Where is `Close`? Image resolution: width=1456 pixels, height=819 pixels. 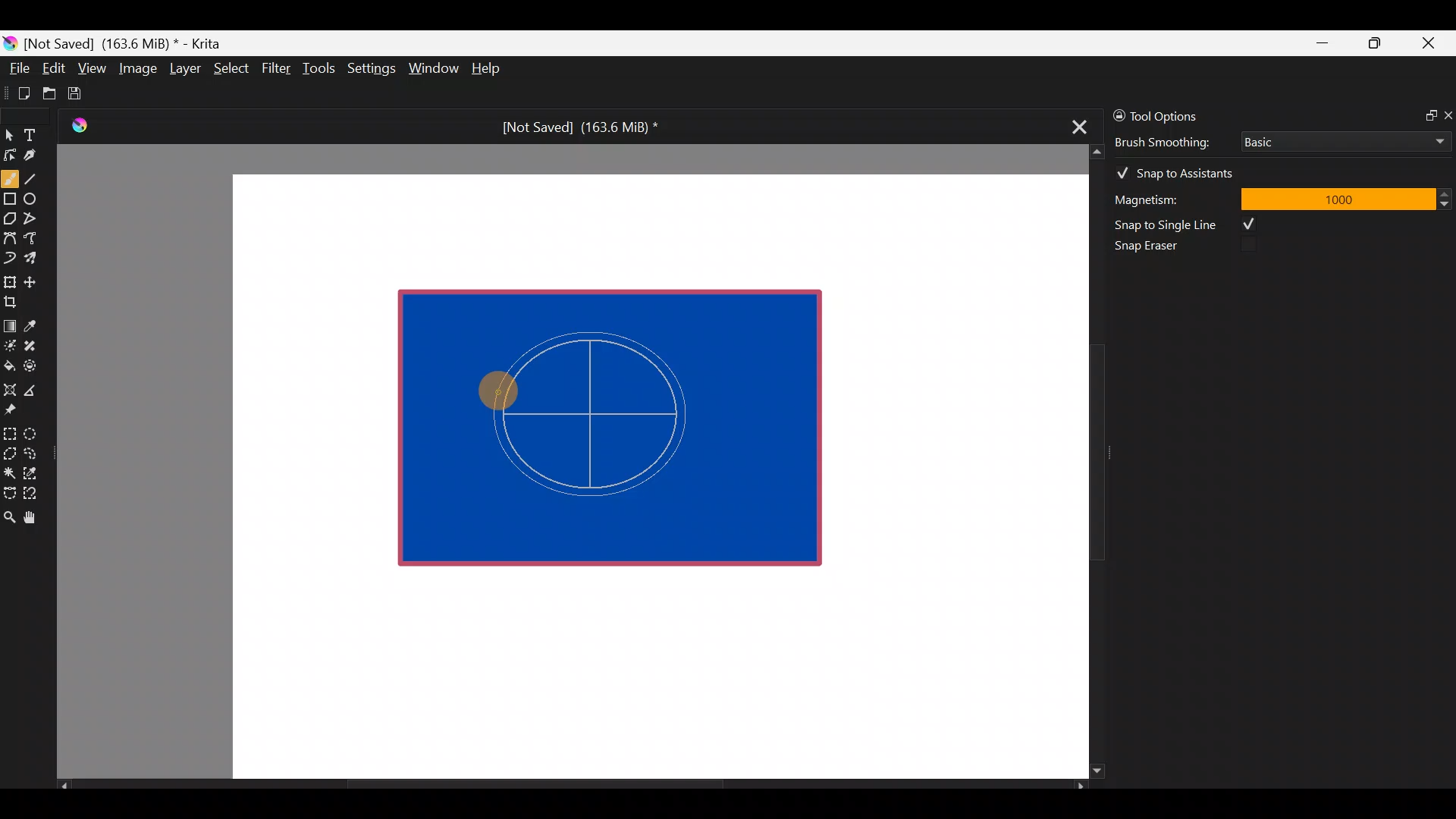
Close is located at coordinates (1429, 46).